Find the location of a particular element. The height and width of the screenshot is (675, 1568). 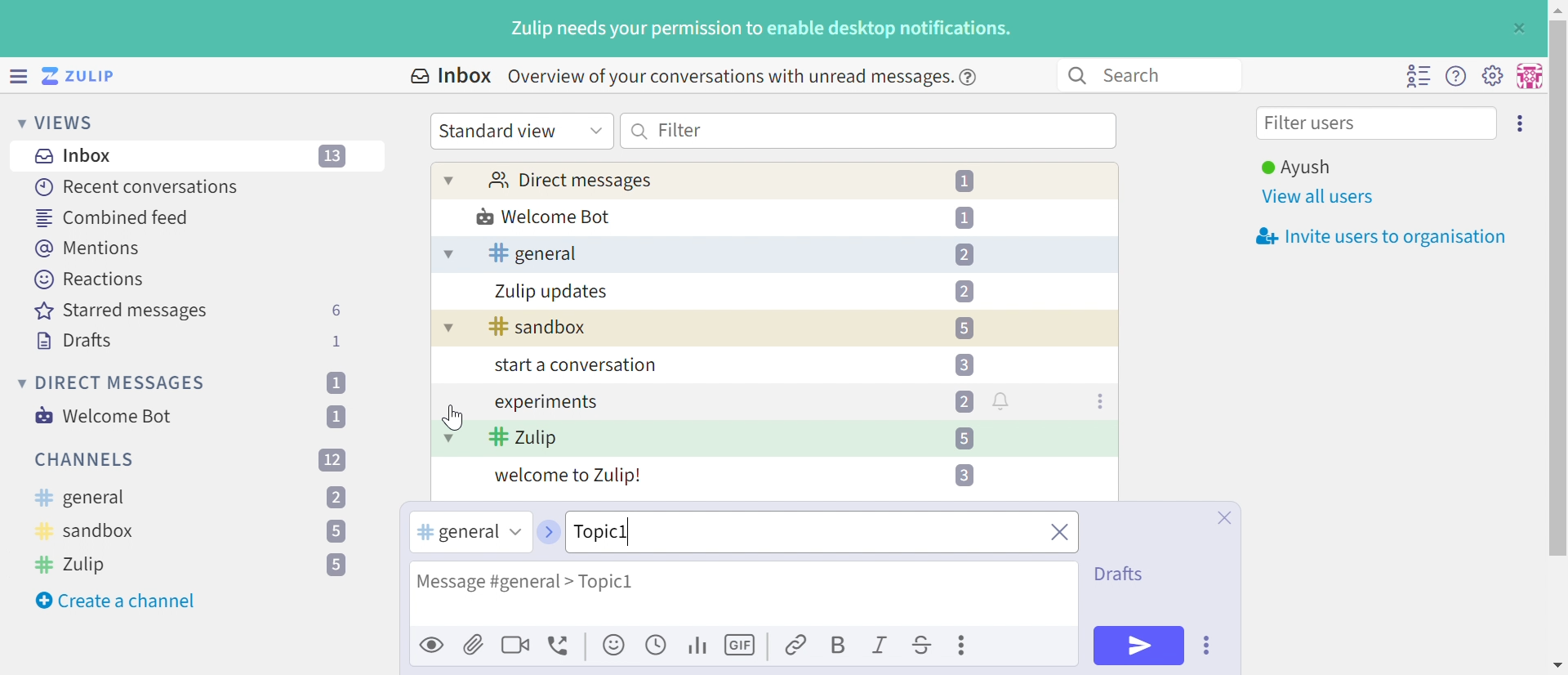

1 is located at coordinates (968, 181).